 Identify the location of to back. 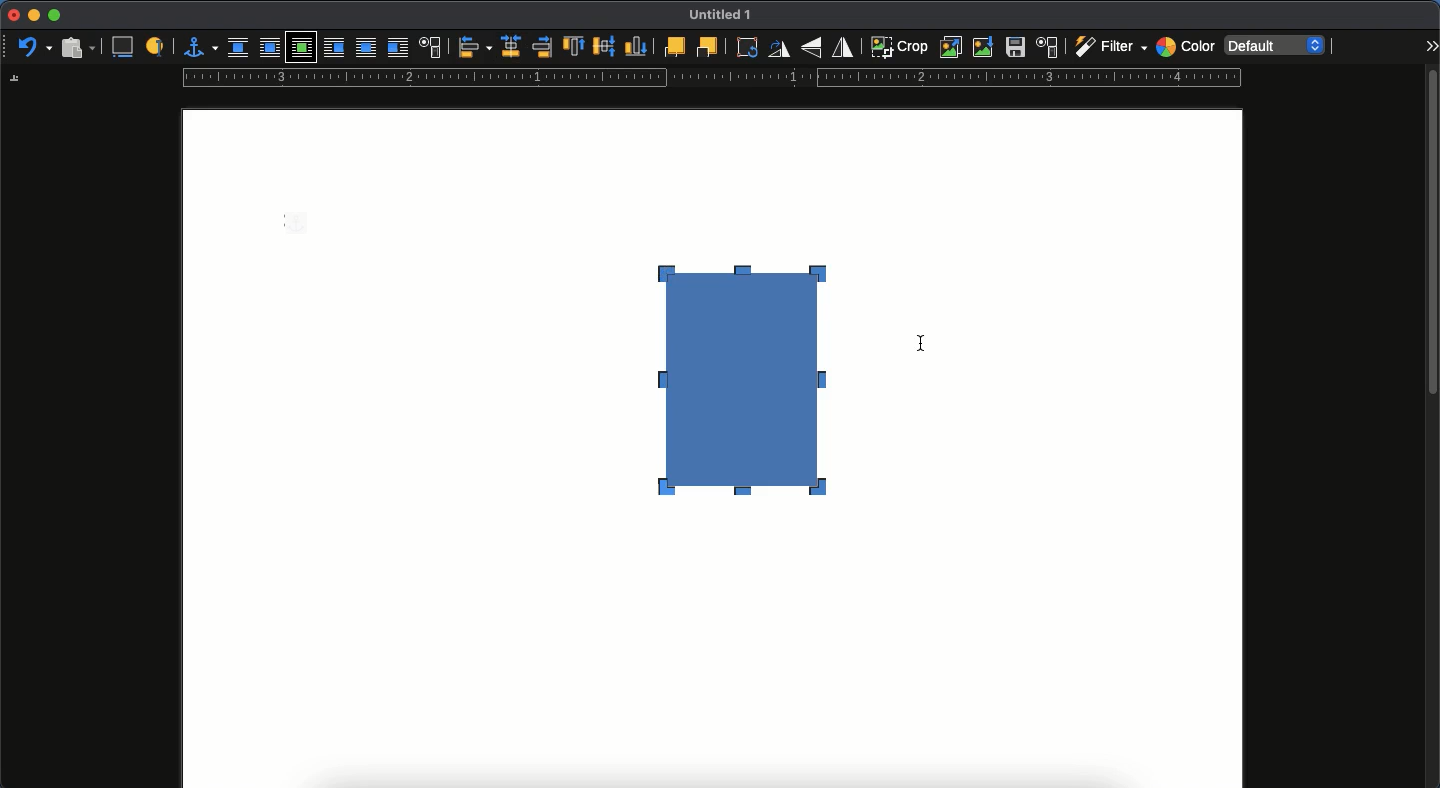
(707, 46).